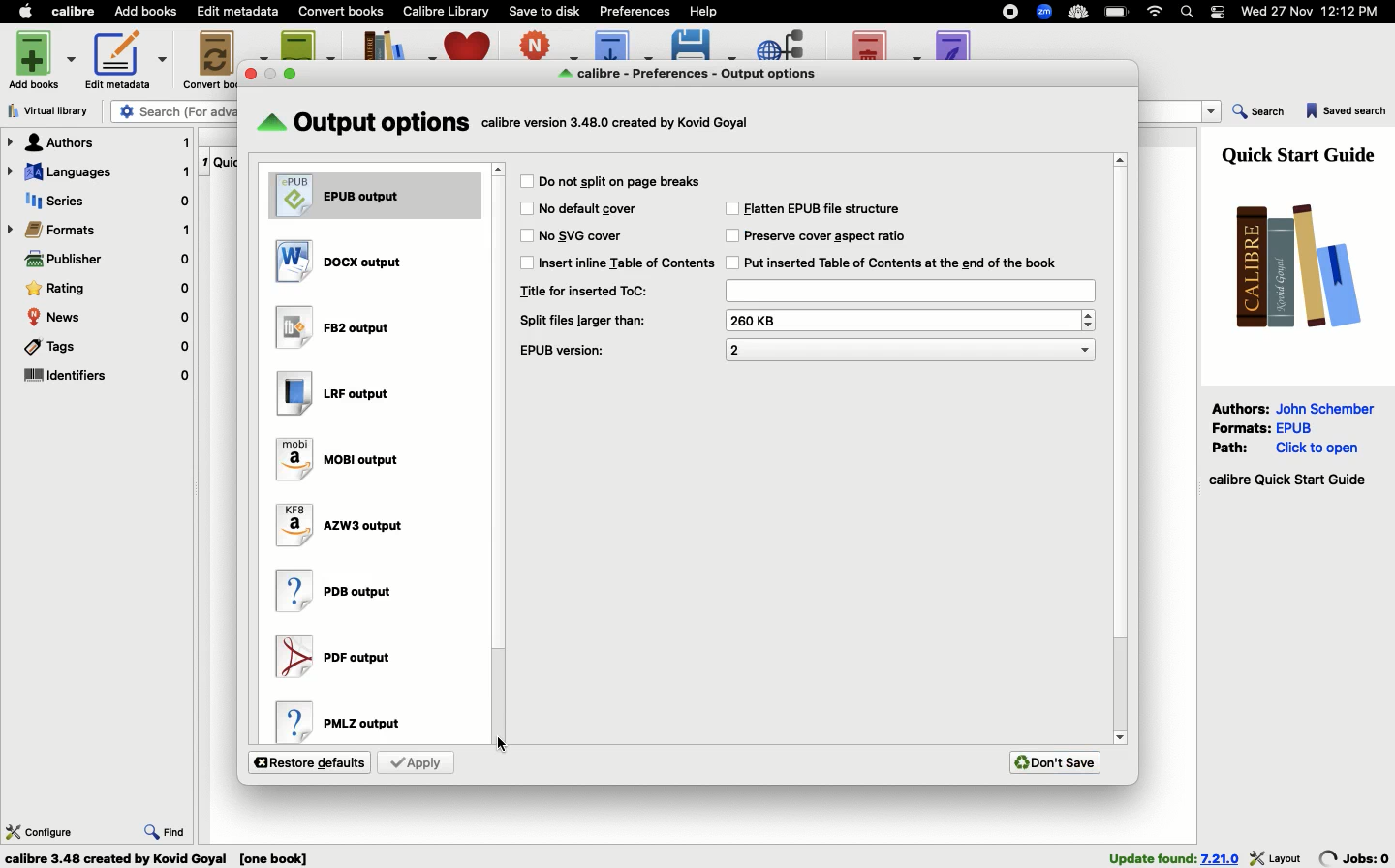 This screenshot has height=868, width=1395. Describe the element at coordinates (166, 829) in the screenshot. I see `Find` at that location.